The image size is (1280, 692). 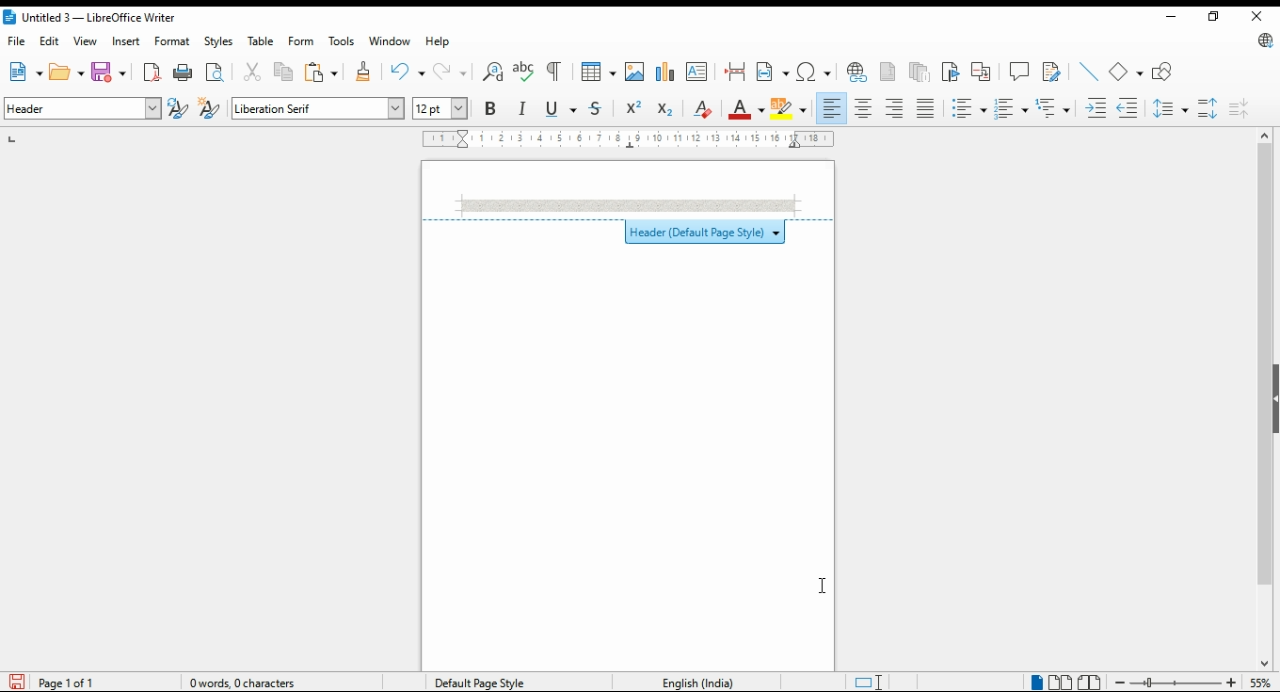 What do you see at coordinates (390, 41) in the screenshot?
I see `window` at bounding box center [390, 41].